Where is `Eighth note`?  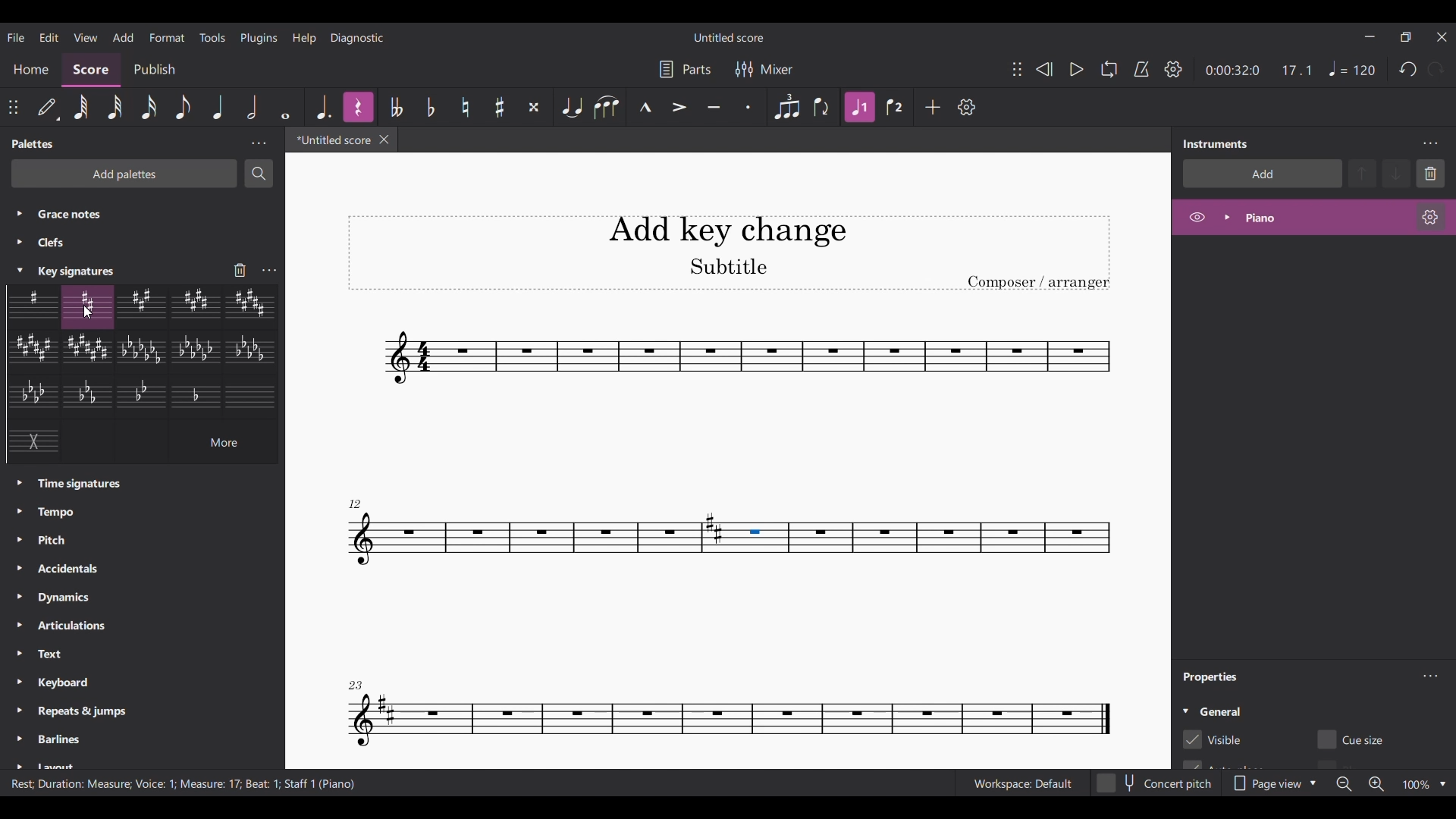
Eighth note is located at coordinates (183, 108).